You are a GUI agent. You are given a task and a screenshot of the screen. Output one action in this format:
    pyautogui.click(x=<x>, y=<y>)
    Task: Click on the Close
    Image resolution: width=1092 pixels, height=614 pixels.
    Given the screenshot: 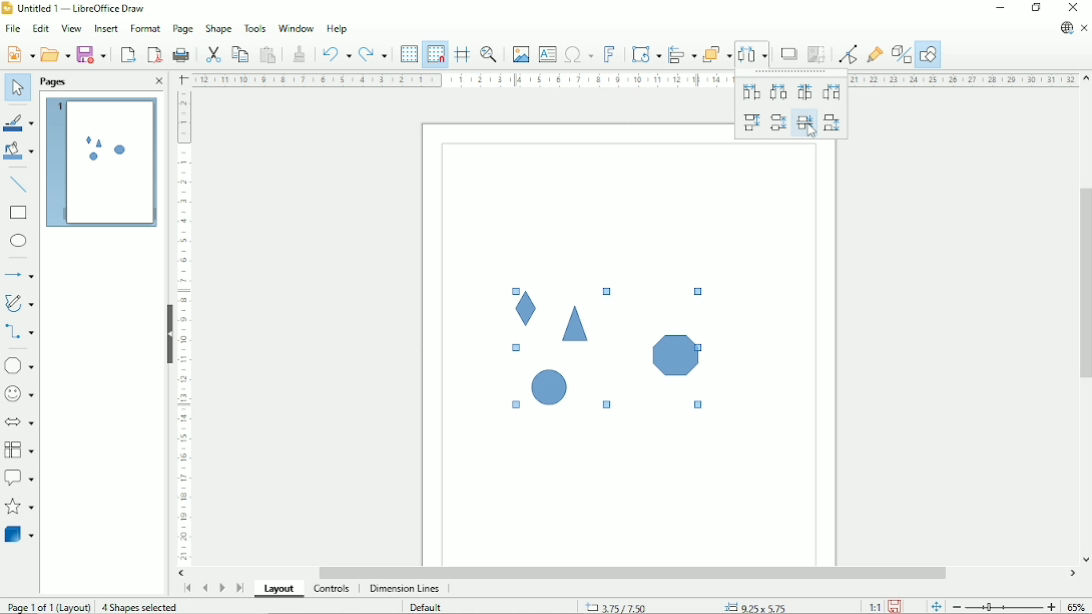 What is the action you would take?
    pyautogui.click(x=156, y=81)
    